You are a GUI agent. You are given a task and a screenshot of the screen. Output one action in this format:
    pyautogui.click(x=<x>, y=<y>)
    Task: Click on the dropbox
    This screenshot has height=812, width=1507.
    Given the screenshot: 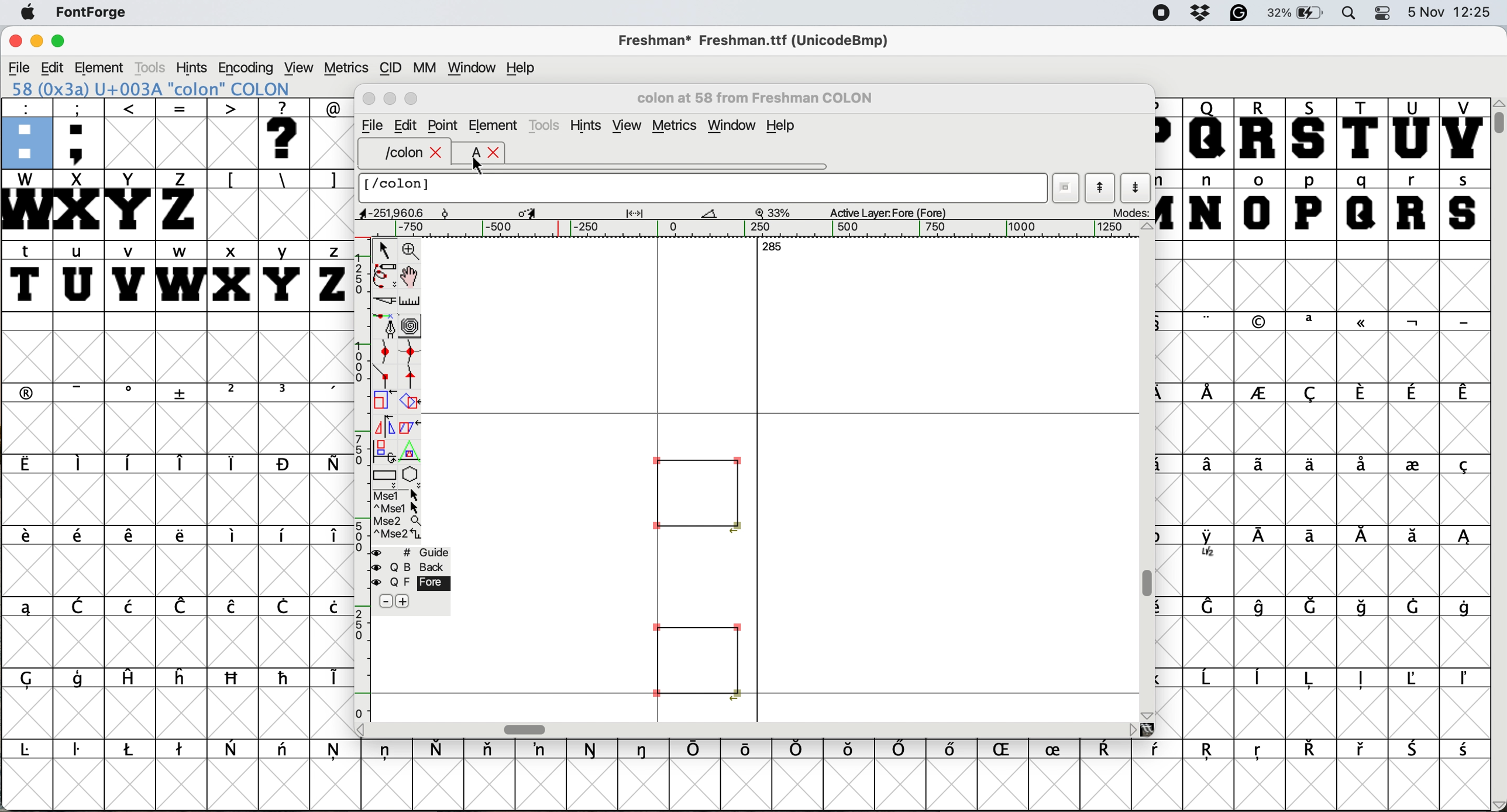 What is the action you would take?
    pyautogui.click(x=1199, y=13)
    